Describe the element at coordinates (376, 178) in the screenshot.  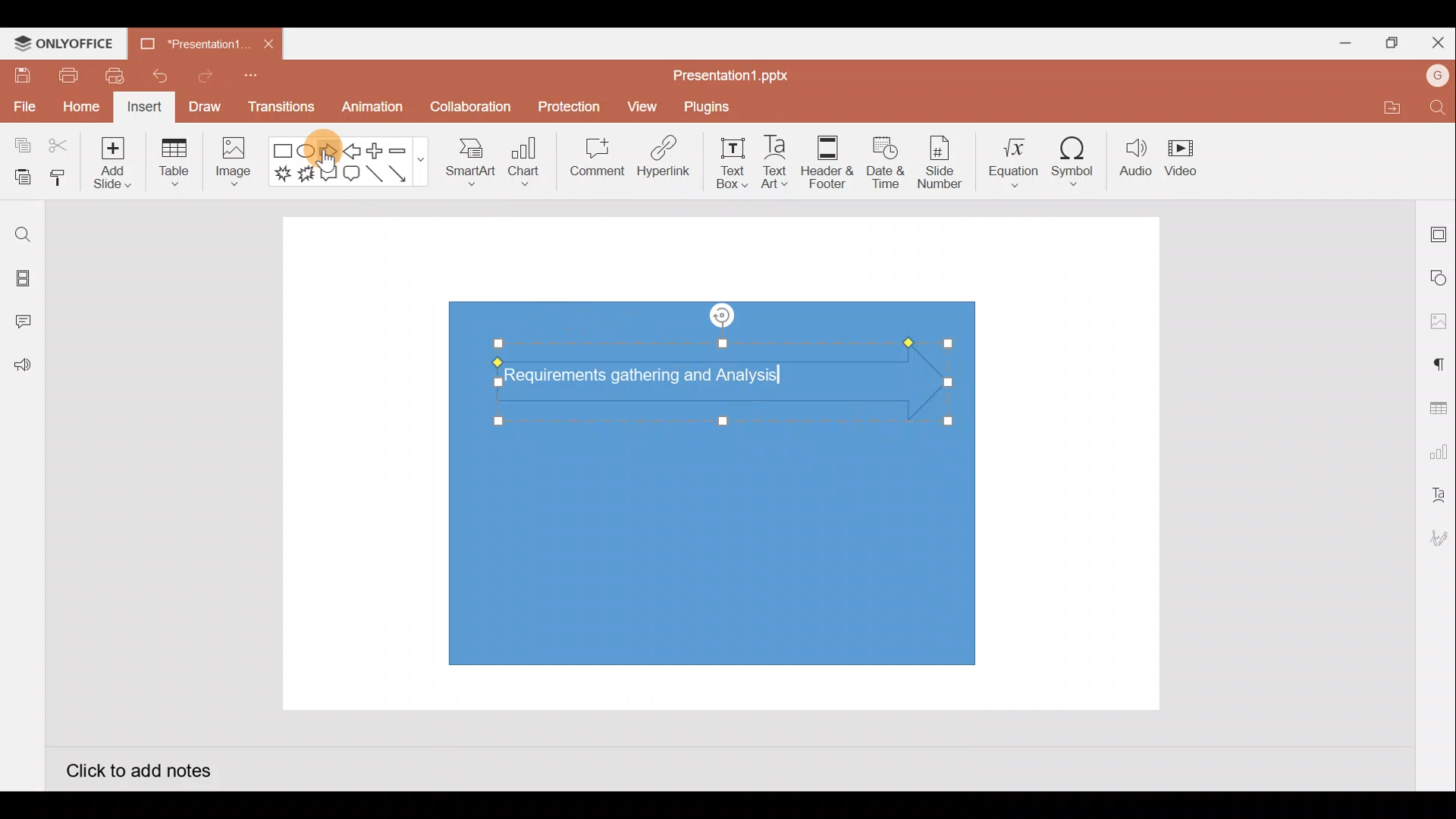
I see `Line` at that location.